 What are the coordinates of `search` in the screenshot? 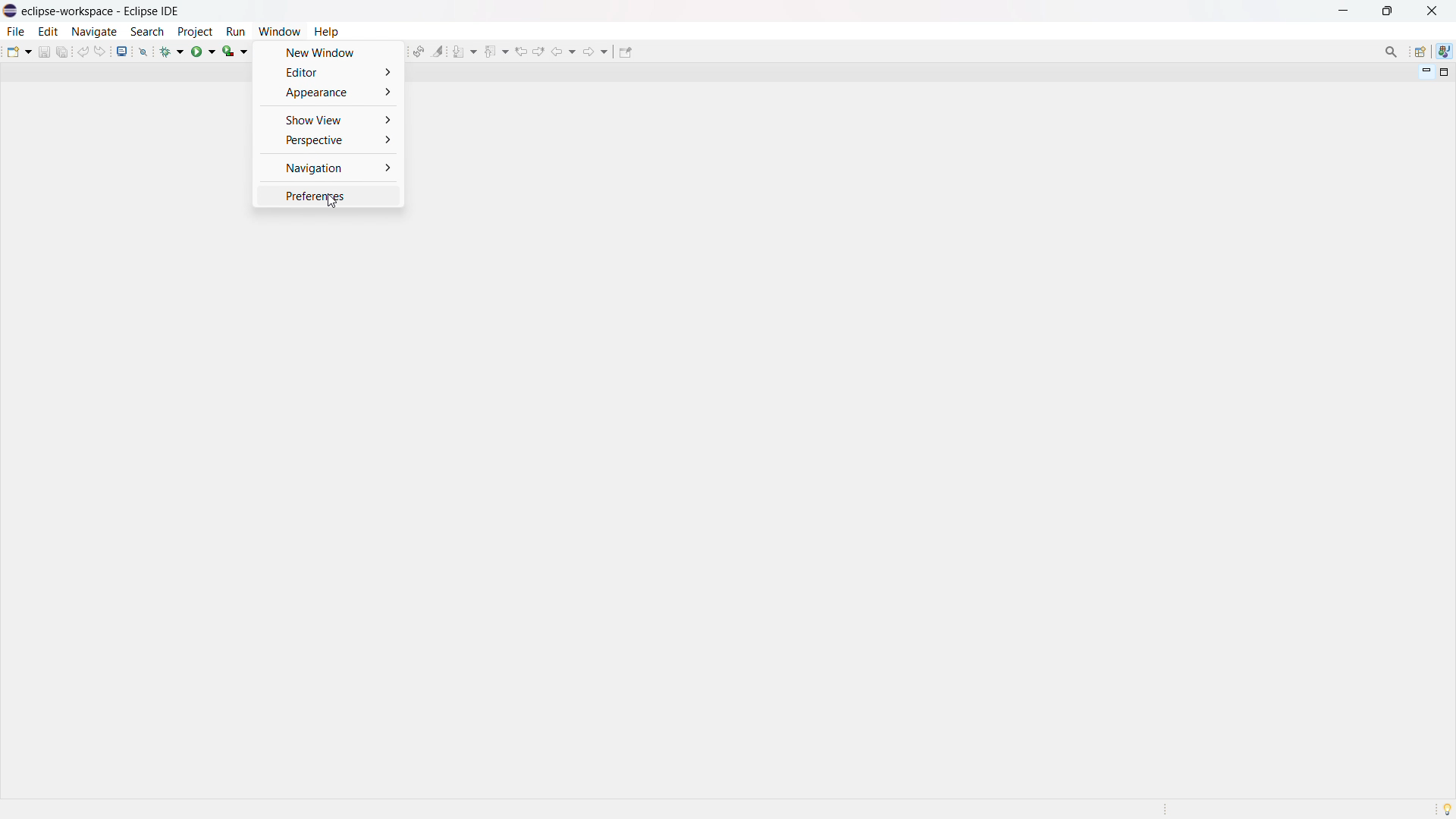 It's located at (147, 32).